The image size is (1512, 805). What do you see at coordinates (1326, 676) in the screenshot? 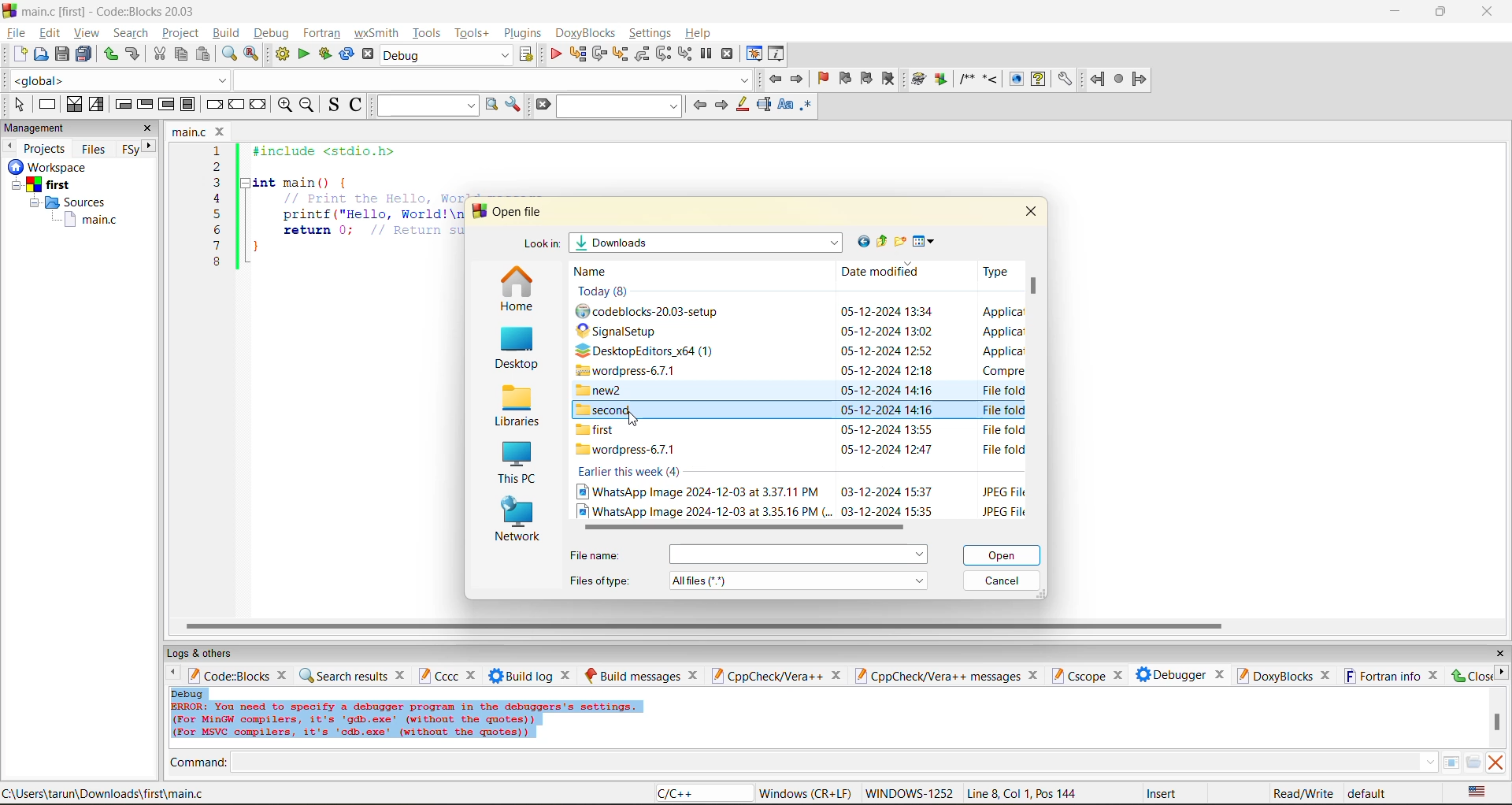
I see `close` at bounding box center [1326, 676].